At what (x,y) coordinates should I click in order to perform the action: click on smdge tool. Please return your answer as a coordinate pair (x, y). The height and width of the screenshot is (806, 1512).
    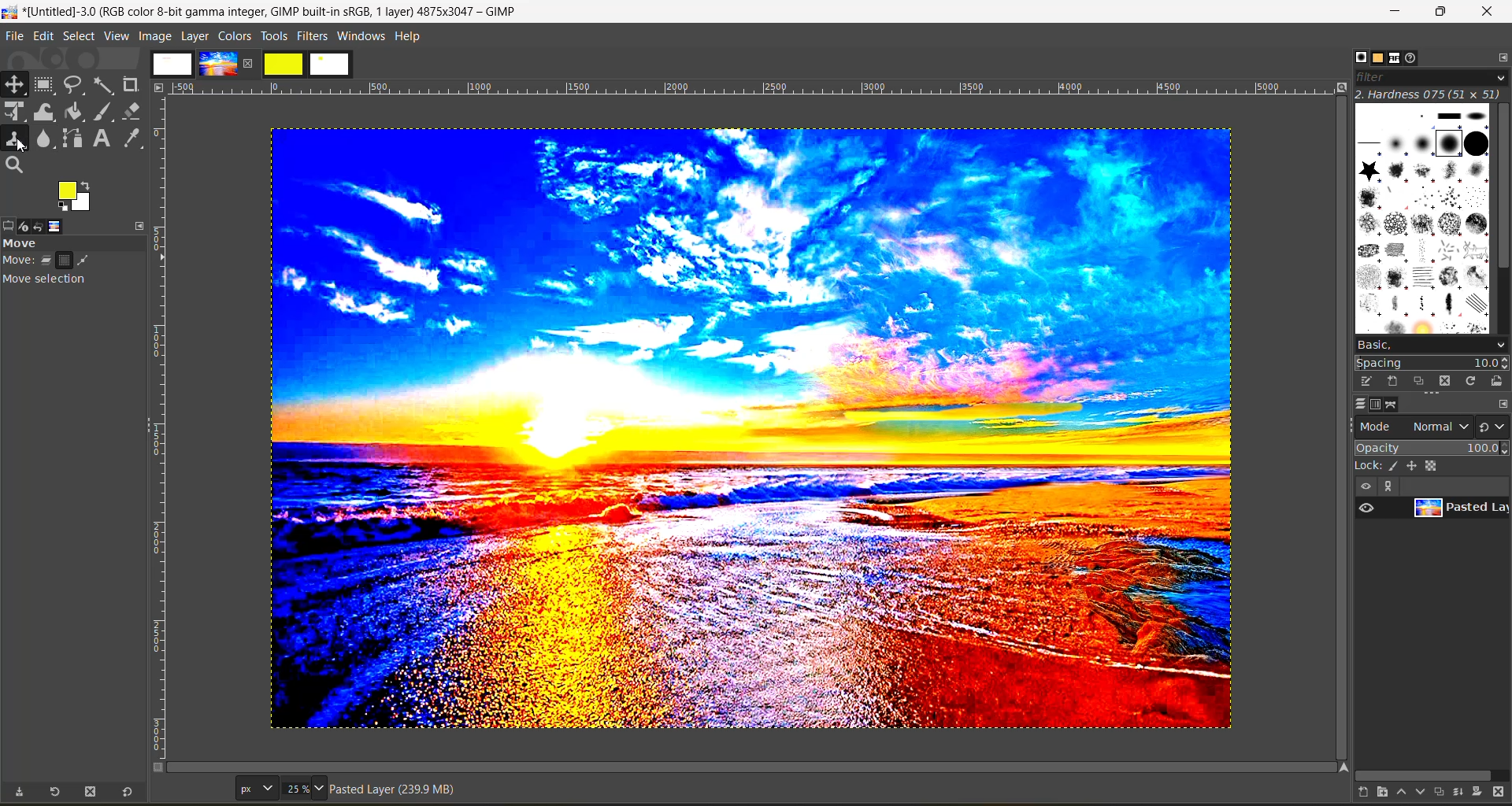
    Looking at the image, I should click on (45, 140).